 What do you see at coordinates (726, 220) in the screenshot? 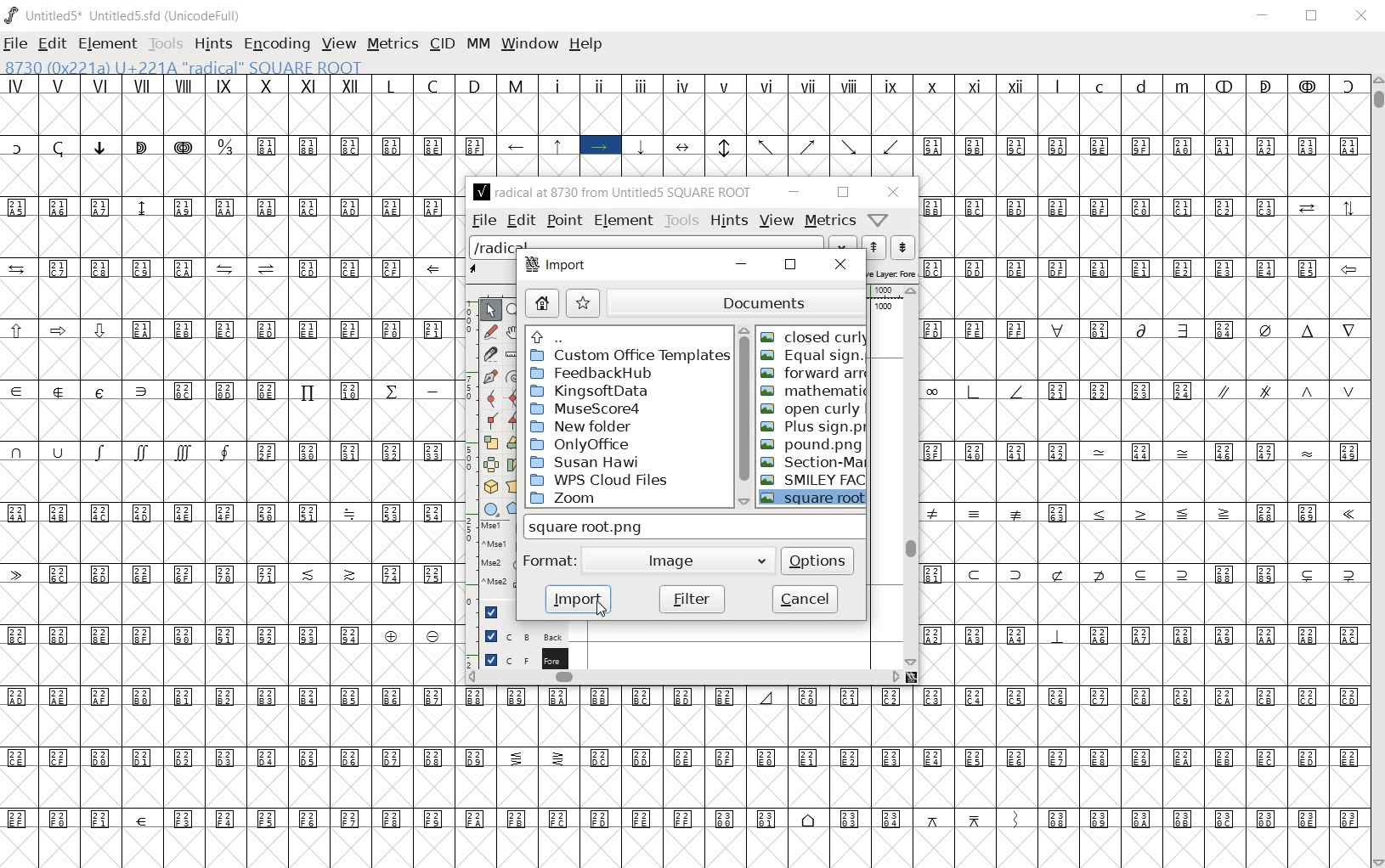
I see `hints` at bounding box center [726, 220].